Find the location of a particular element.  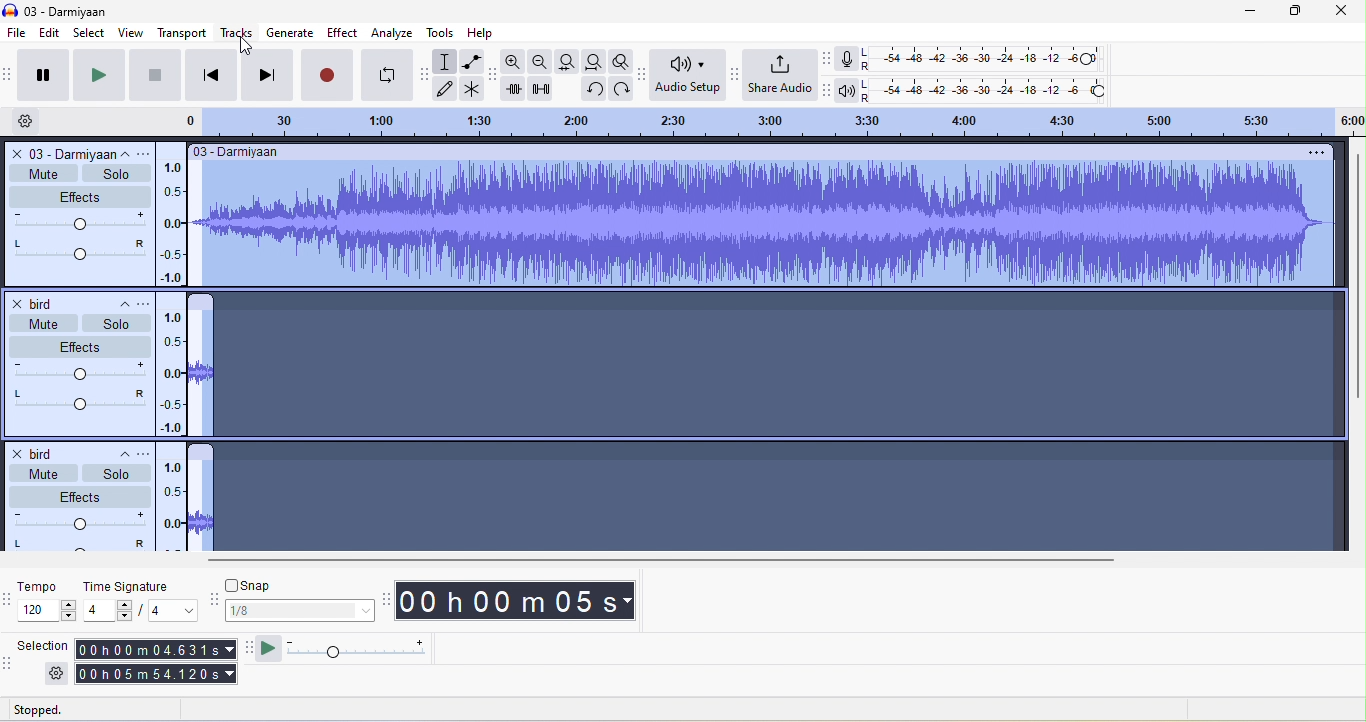

stopped is located at coordinates (61, 709).